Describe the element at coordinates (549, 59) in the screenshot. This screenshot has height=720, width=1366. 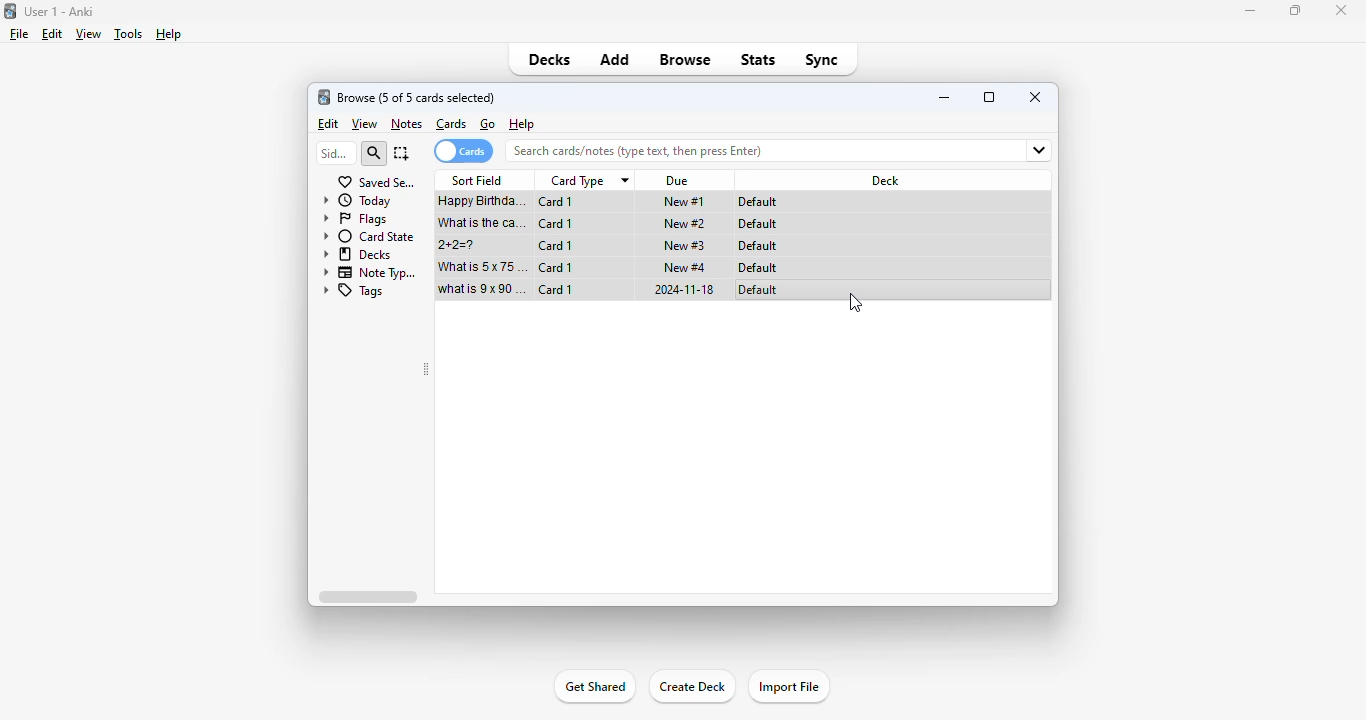
I see `decks` at that location.